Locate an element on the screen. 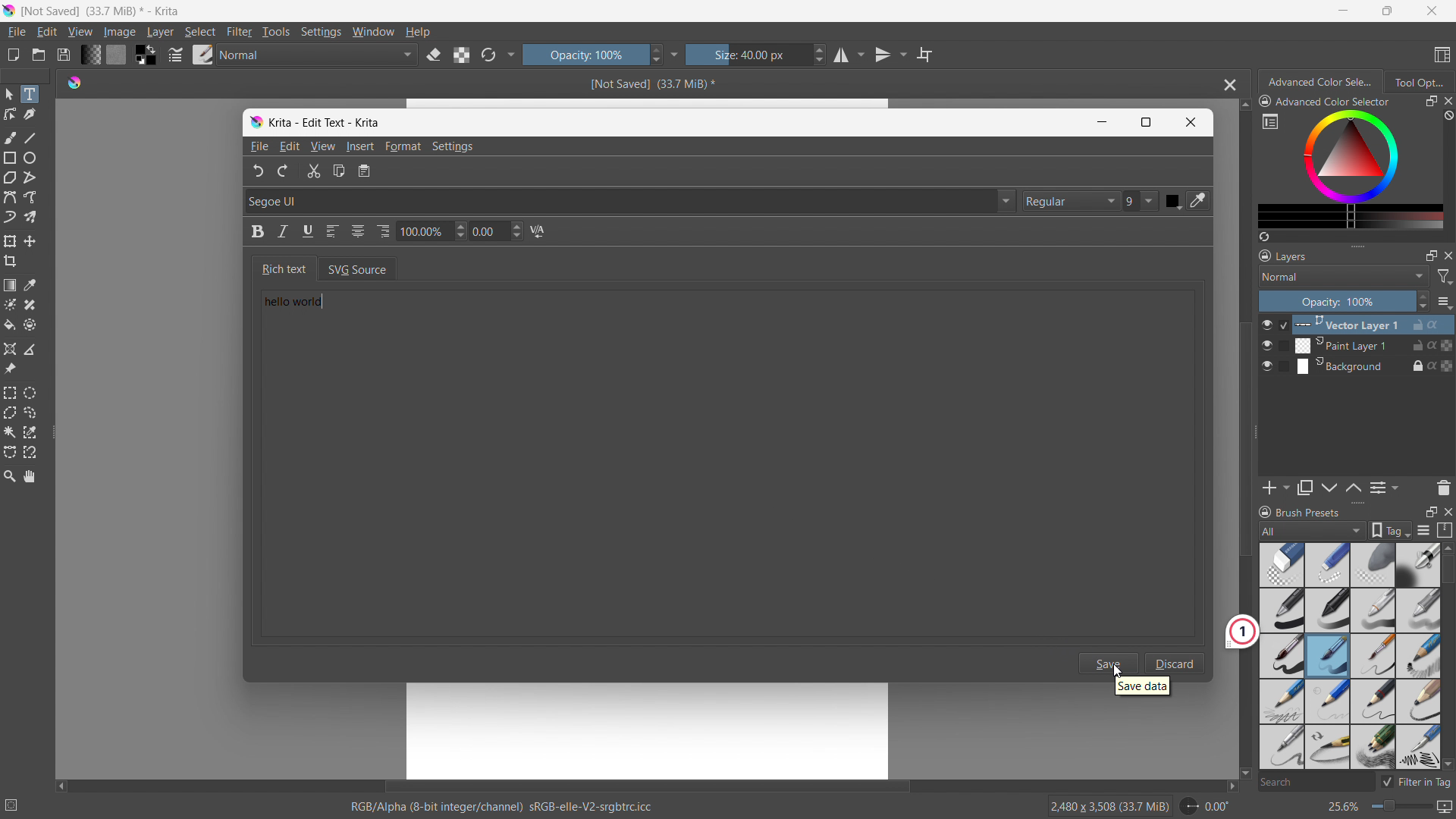 The image size is (1456, 819). duplicate layer is located at coordinates (1305, 488).